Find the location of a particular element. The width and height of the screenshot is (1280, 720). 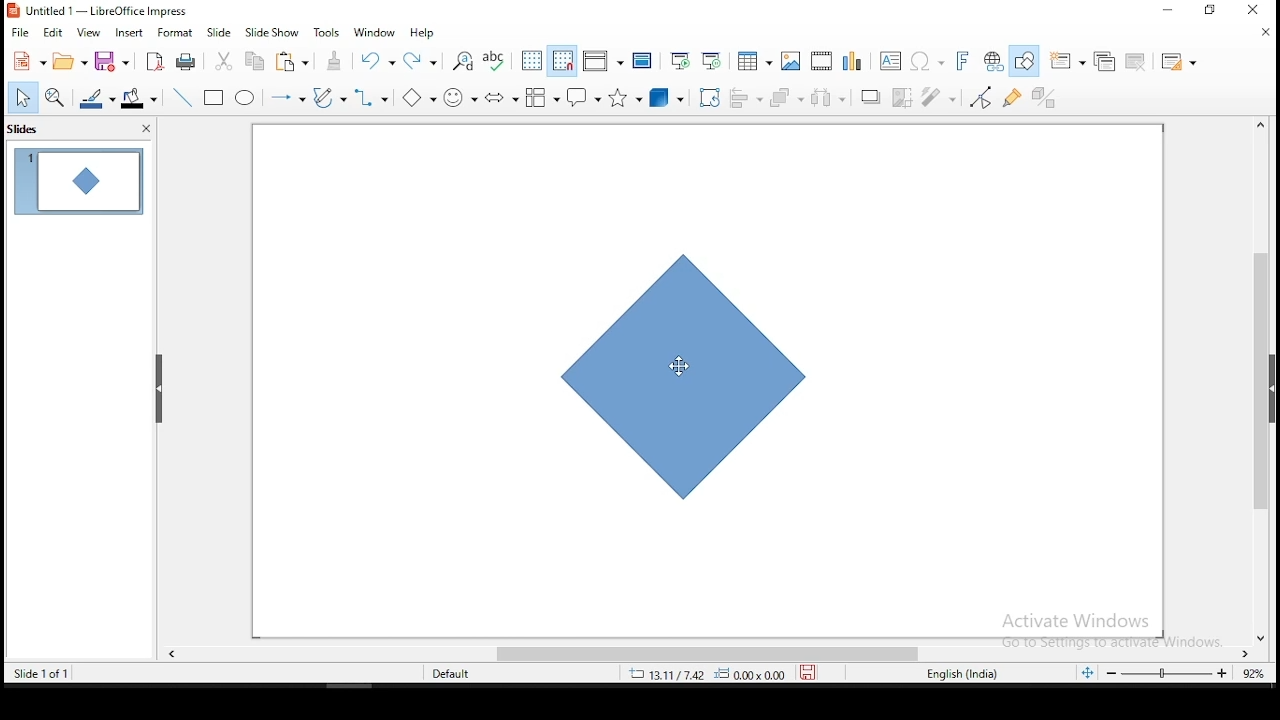

show draw functions is located at coordinates (1023, 60).